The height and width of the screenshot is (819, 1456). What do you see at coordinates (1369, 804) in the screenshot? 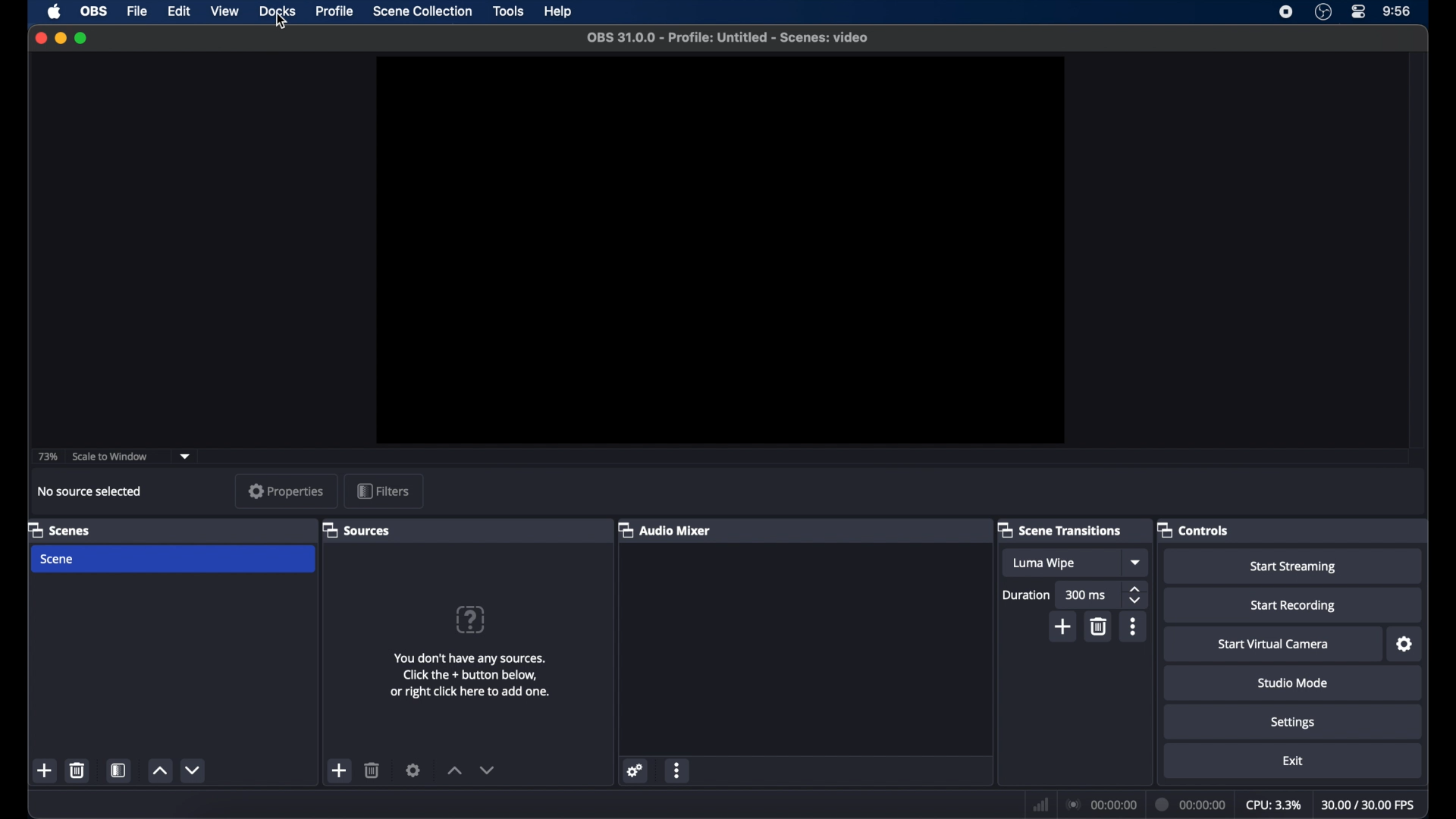
I see `fps` at bounding box center [1369, 804].